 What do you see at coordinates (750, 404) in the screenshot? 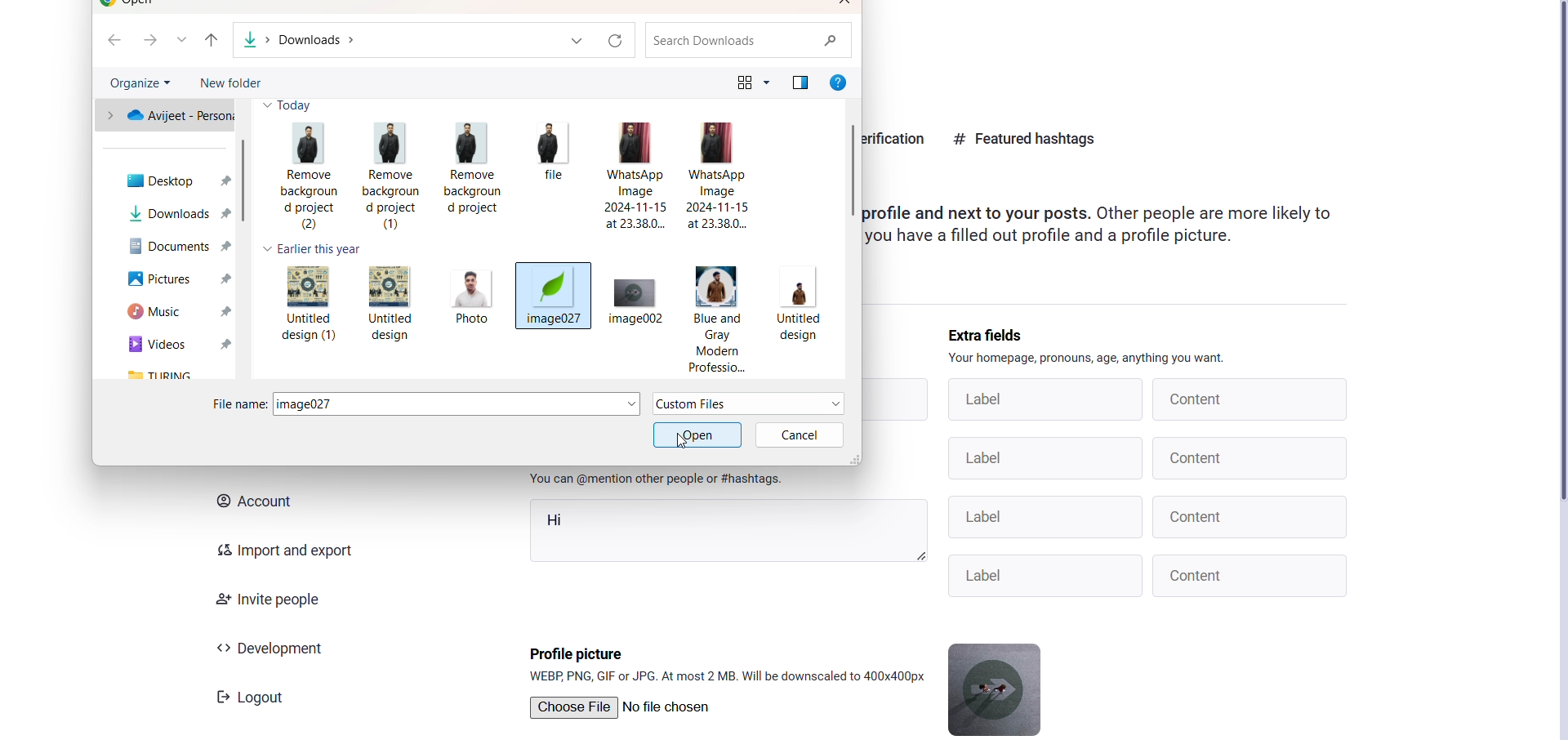
I see `file type` at bounding box center [750, 404].